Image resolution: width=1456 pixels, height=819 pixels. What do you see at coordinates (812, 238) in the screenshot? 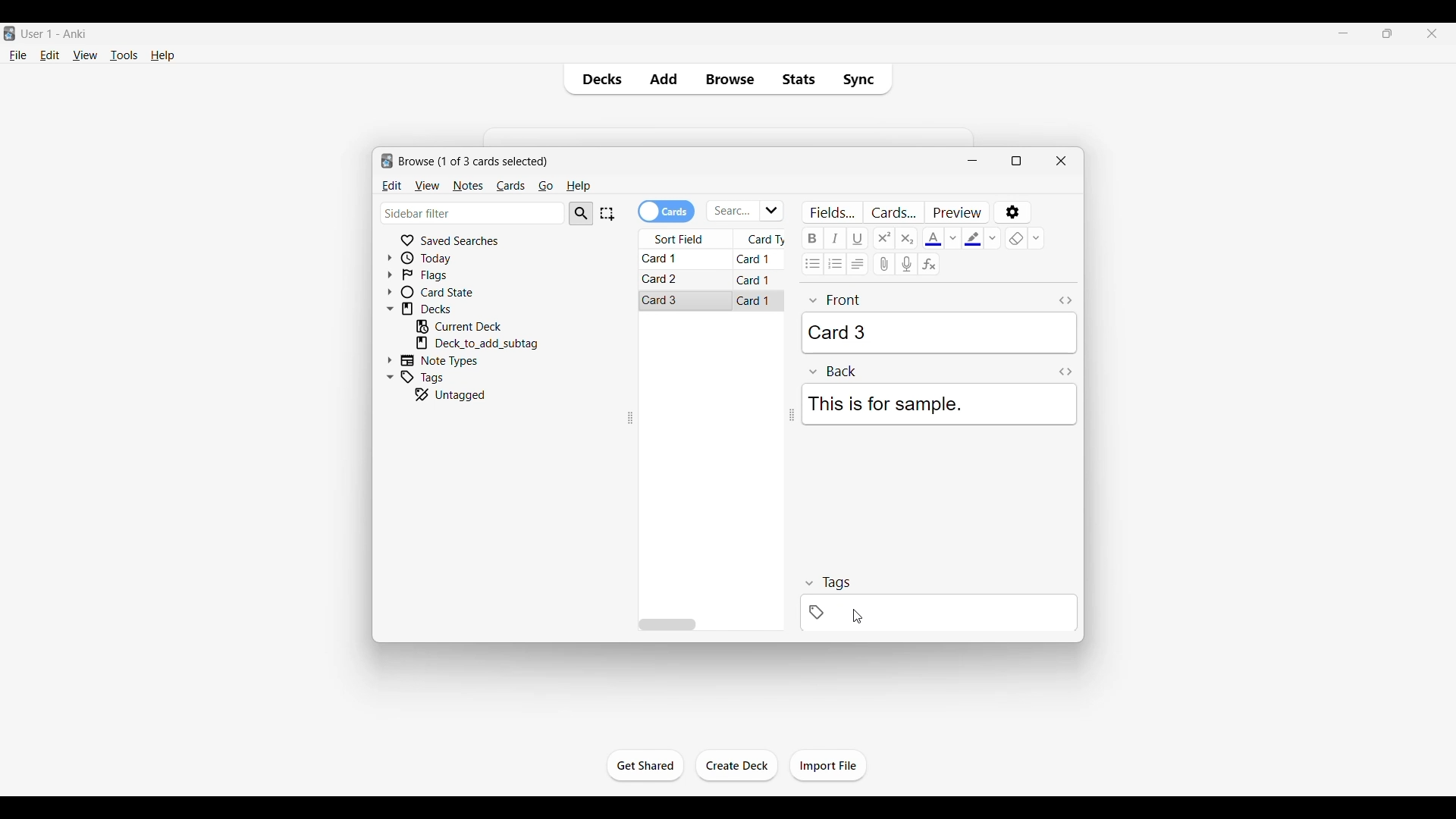
I see `Bold text` at bounding box center [812, 238].